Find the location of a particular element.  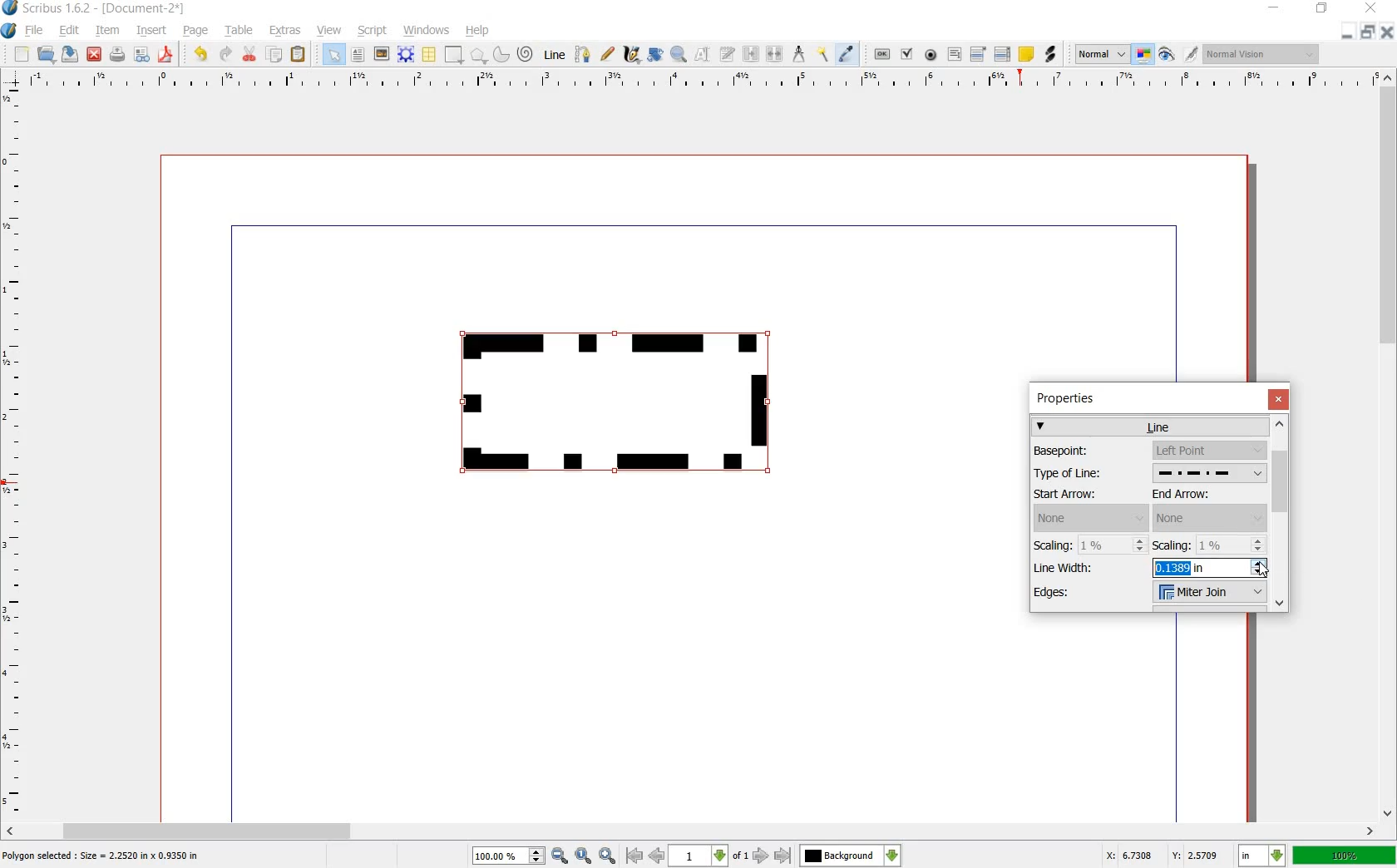

go to next page is located at coordinates (763, 856).